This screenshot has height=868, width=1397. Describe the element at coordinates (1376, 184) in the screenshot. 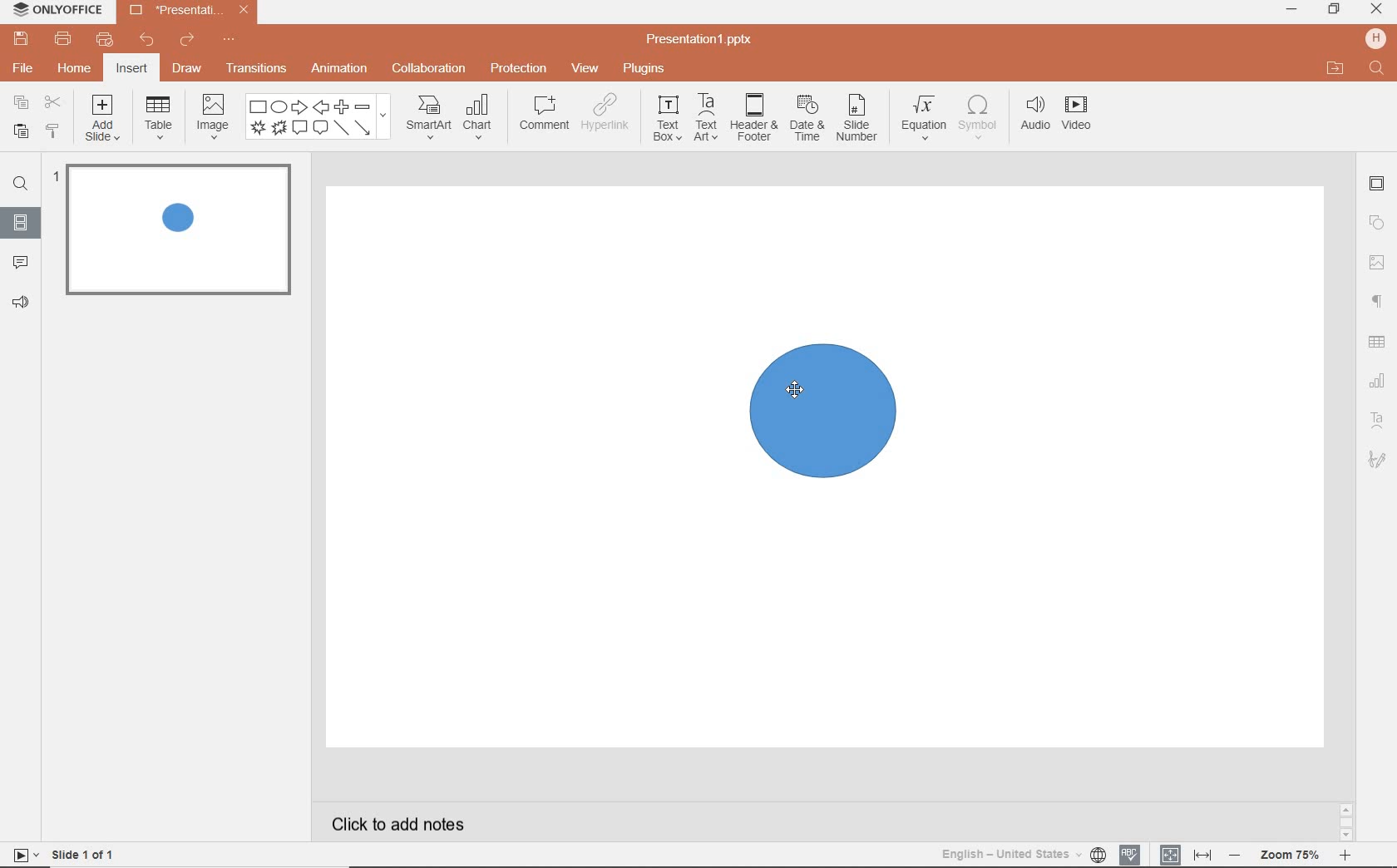

I see `slide settings` at that location.